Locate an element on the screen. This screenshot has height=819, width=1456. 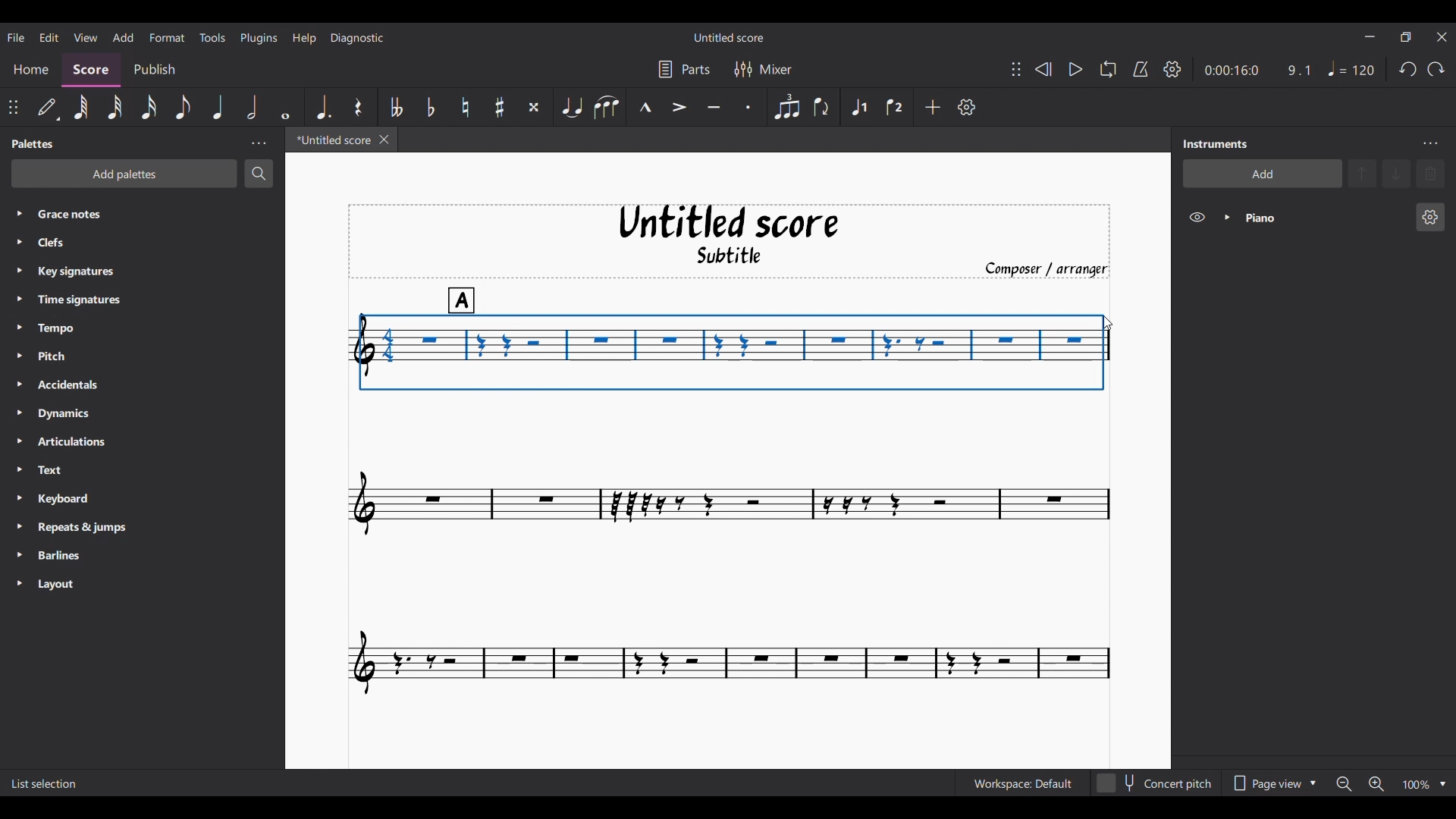
Instrument settings is located at coordinates (1429, 144).